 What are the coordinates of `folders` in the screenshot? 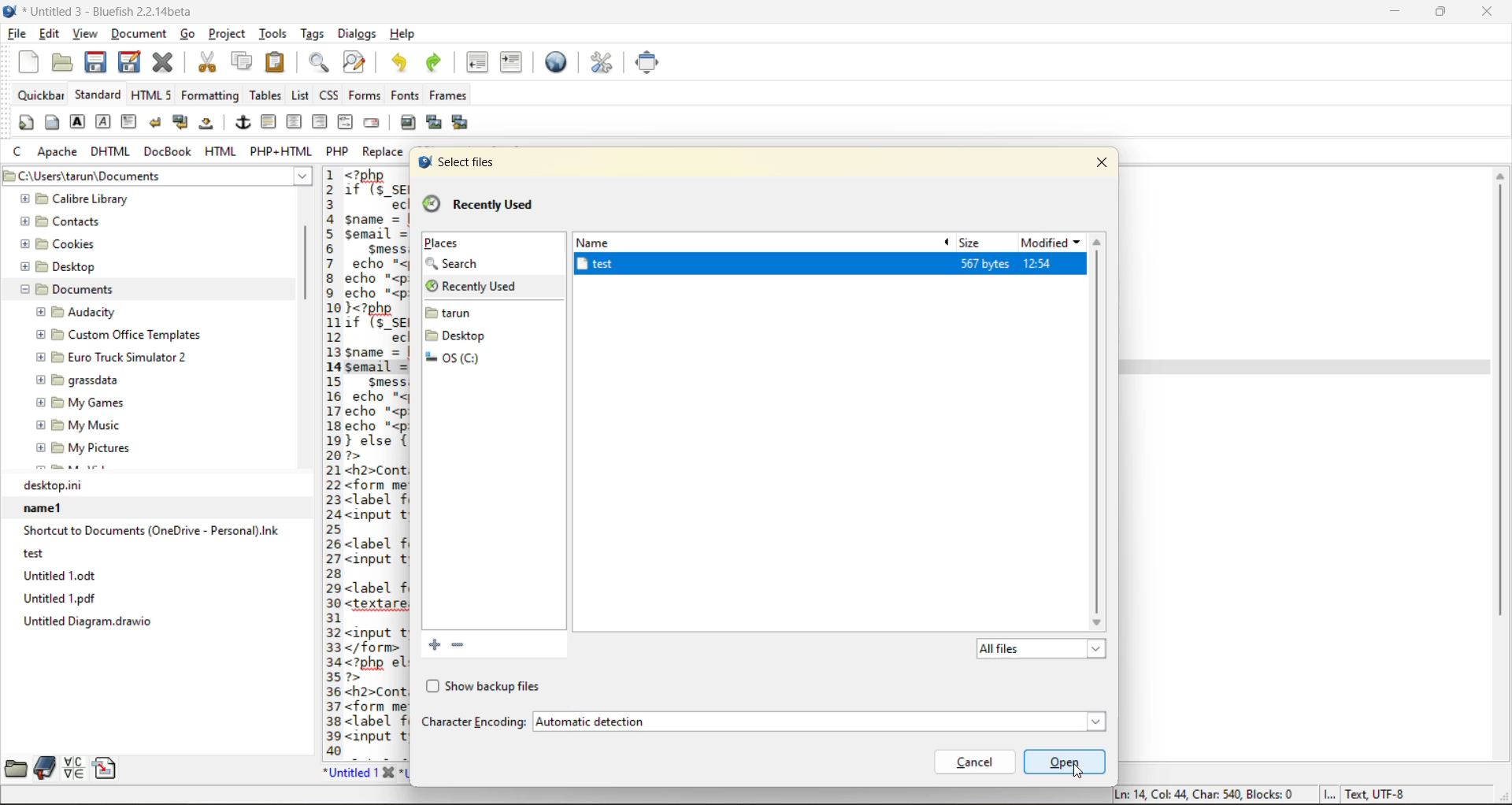 It's located at (462, 347).